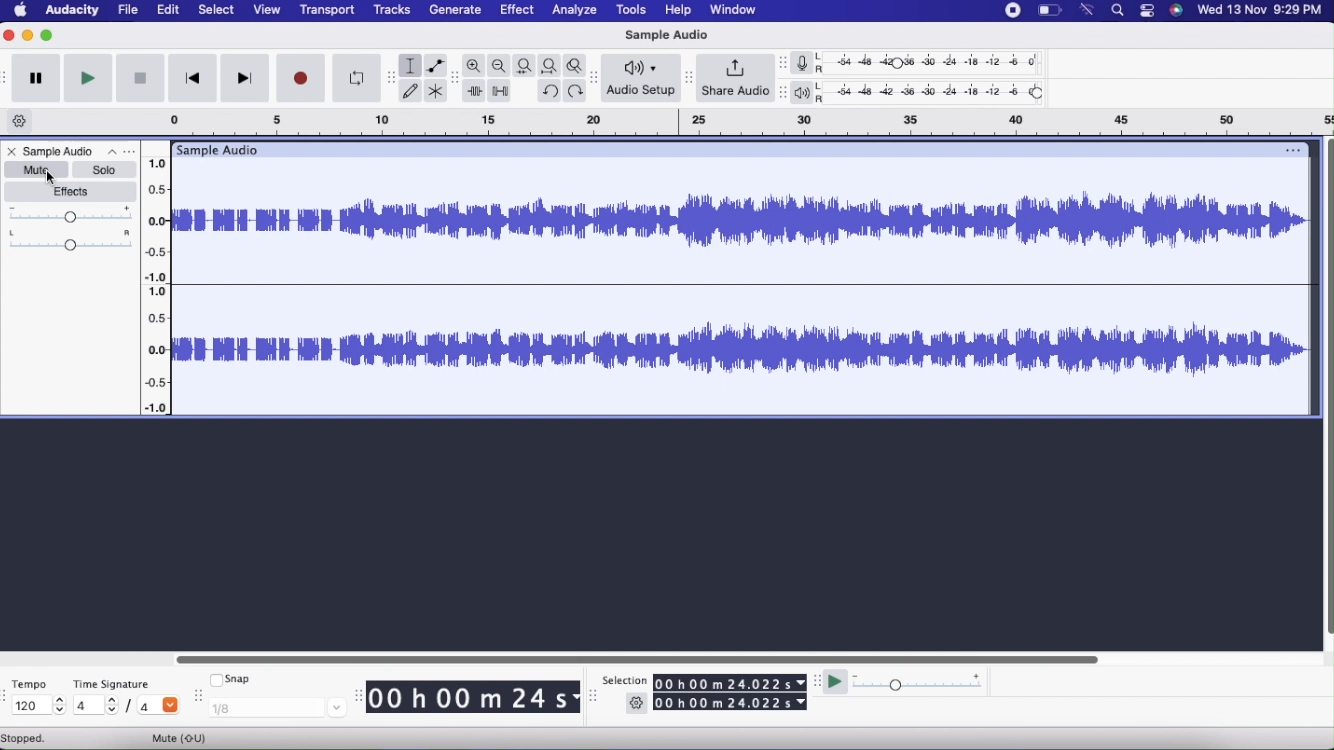 Image resolution: width=1334 pixels, height=750 pixels. What do you see at coordinates (72, 213) in the screenshot?
I see `Gain slider` at bounding box center [72, 213].